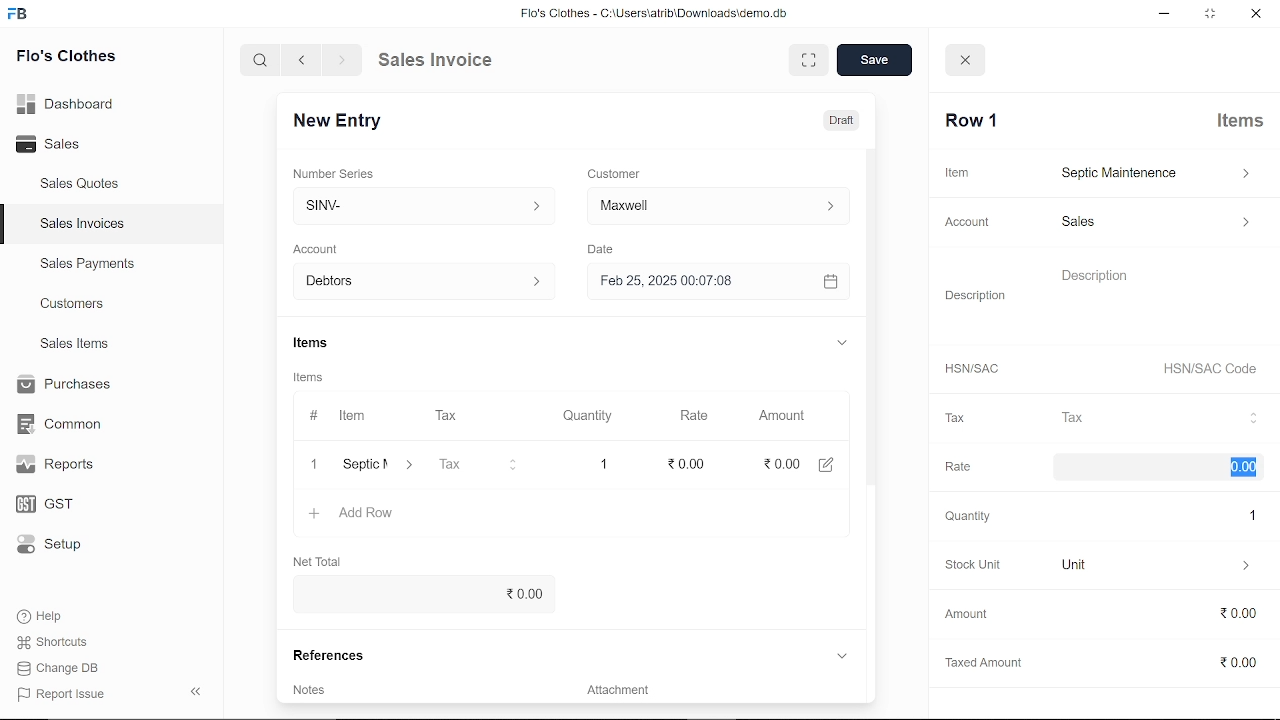 The image size is (1280, 720). What do you see at coordinates (198, 693) in the screenshot?
I see `collapse` at bounding box center [198, 693].